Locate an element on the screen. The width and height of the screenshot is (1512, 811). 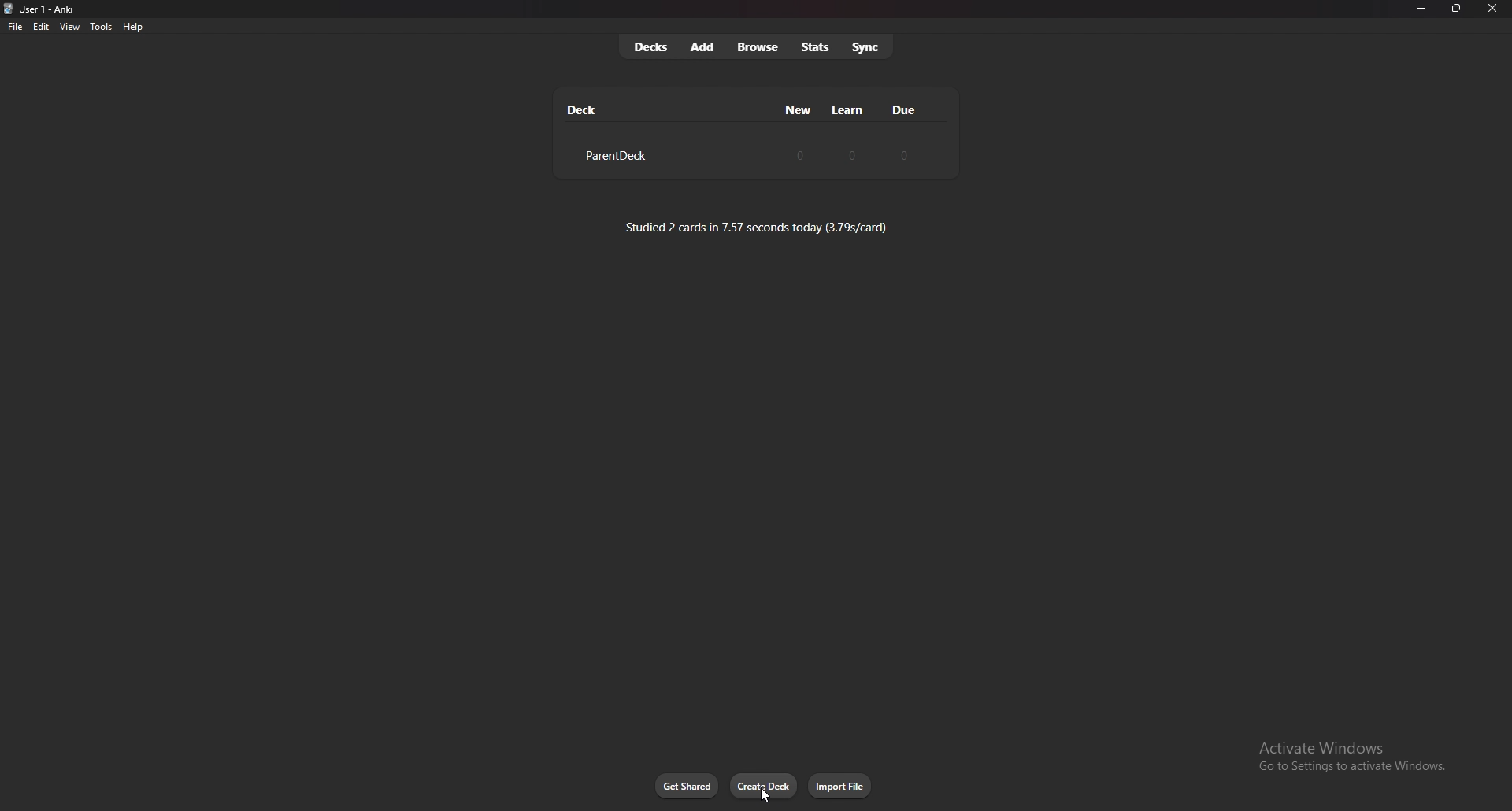
tools is located at coordinates (101, 27).